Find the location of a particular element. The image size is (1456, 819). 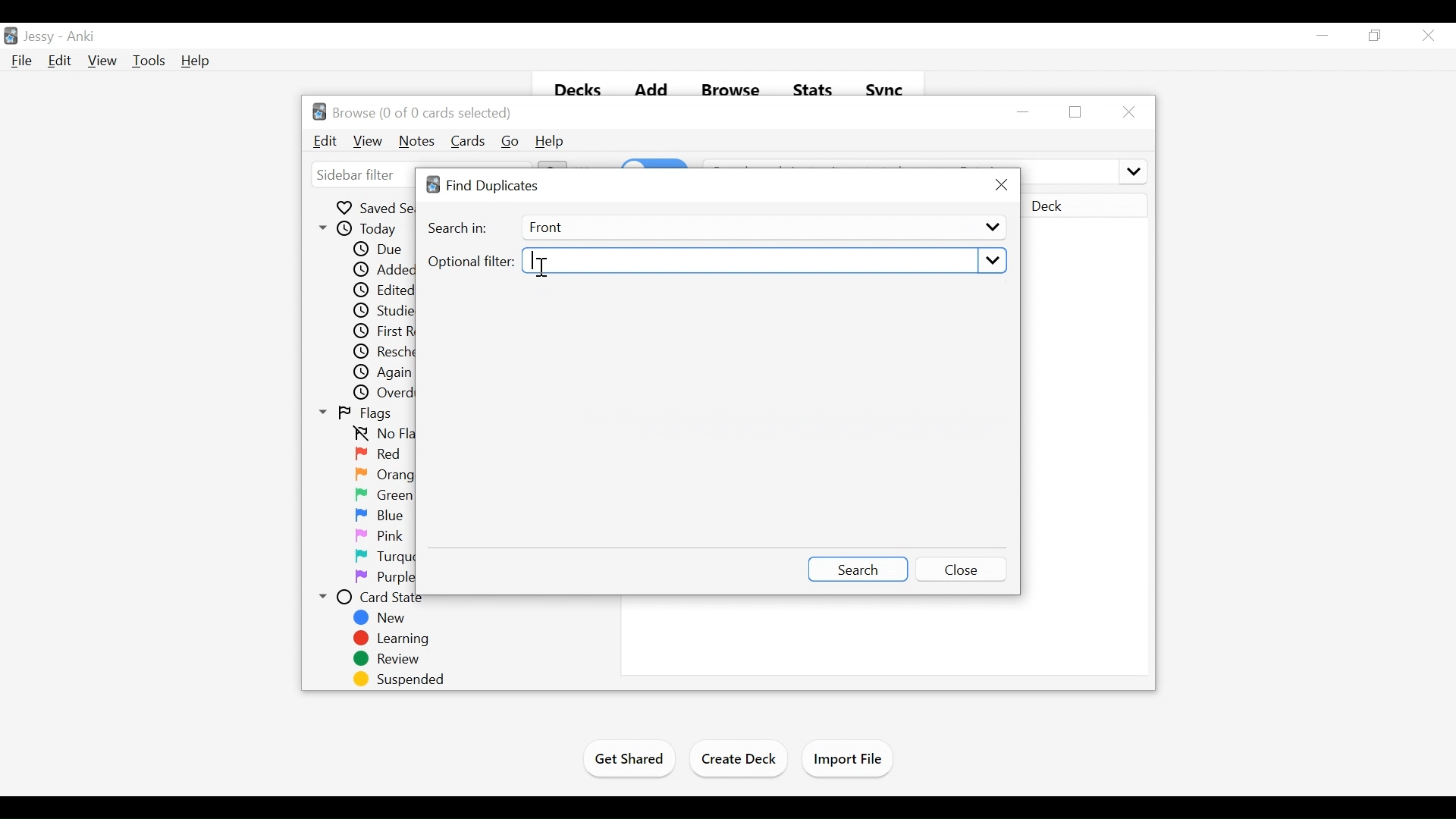

Studied is located at coordinates (381, 312).